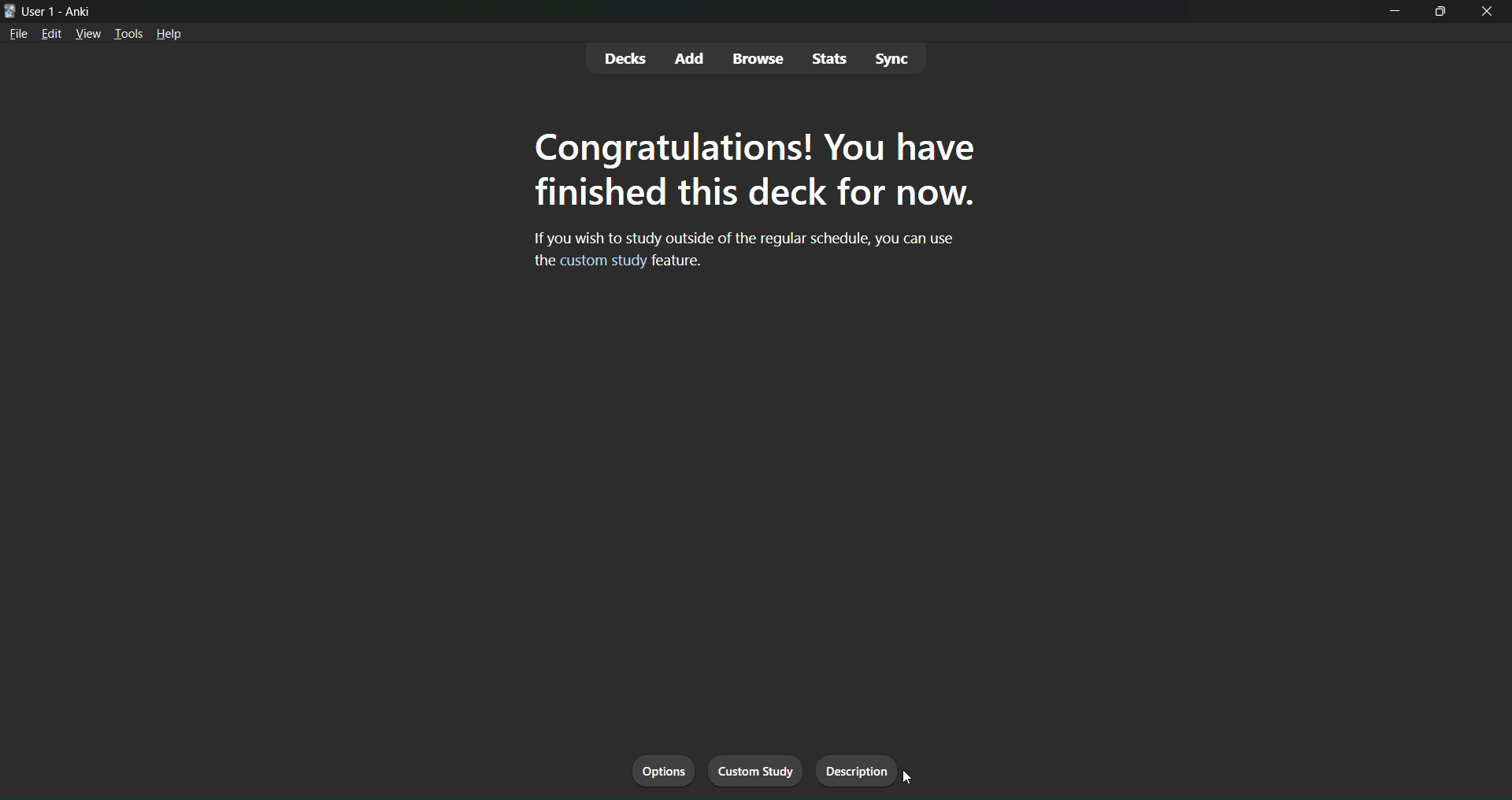 Image resolution: width=1512 pixels, height=800 pixels. What do you see at coordinates (680, 261) in the screenshot?
I see `feature.` at bounding box center [680, 261].